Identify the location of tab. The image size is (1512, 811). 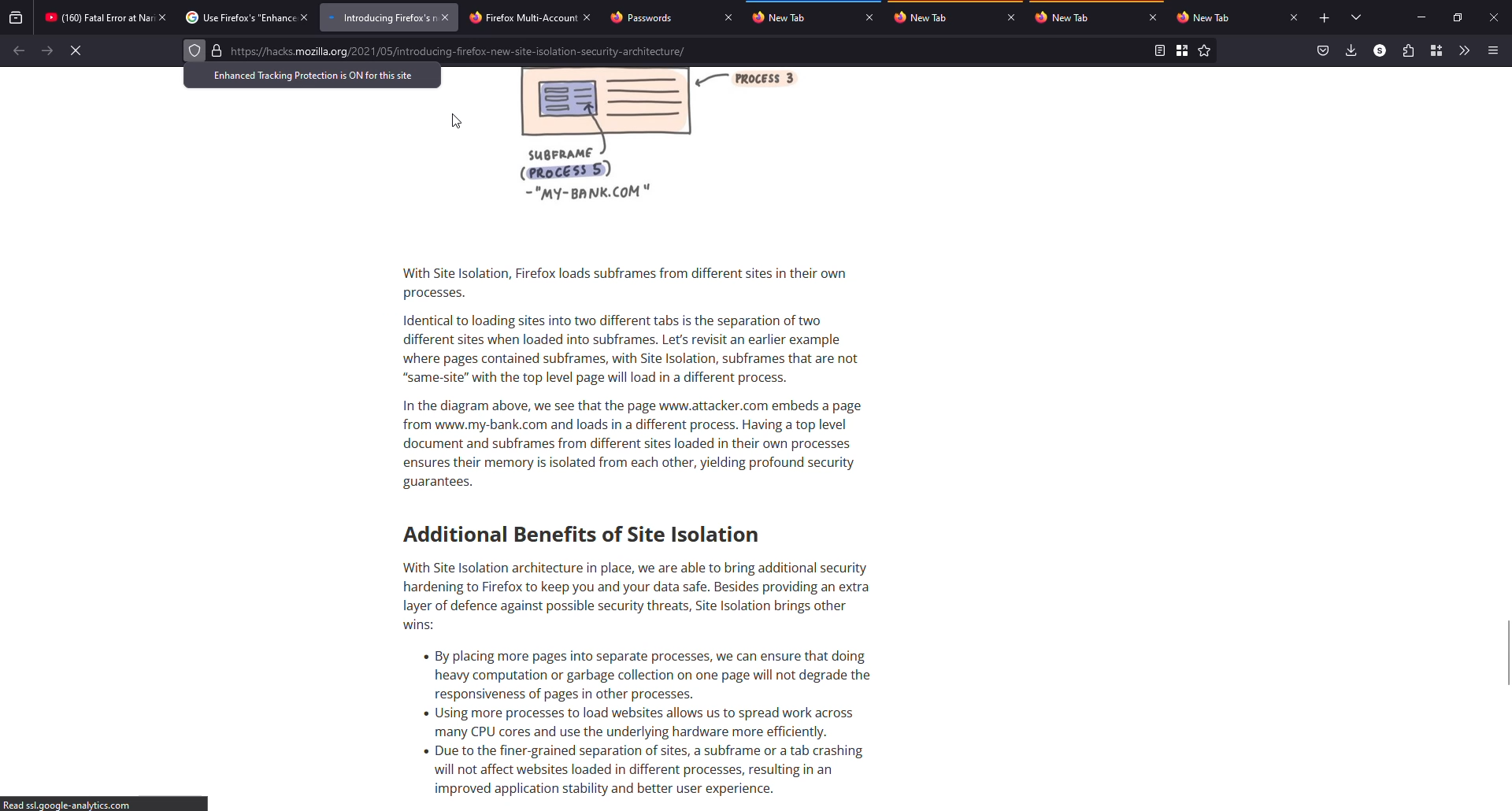
(1206, 17).